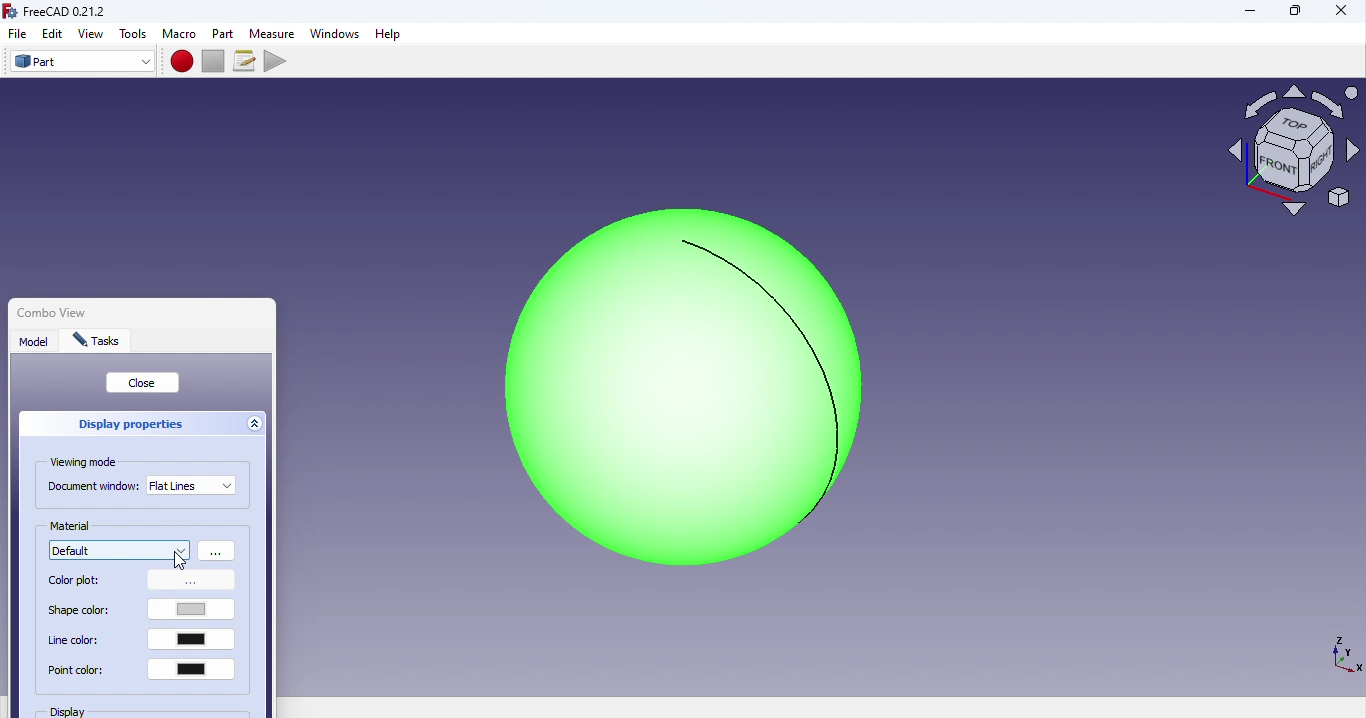 Image resolution: width=1366 pixels, height=718 pixels. What do you see at coordinates (93, 308) in the screenshot?
I see `Combo view` at bounding box center [93, 308].